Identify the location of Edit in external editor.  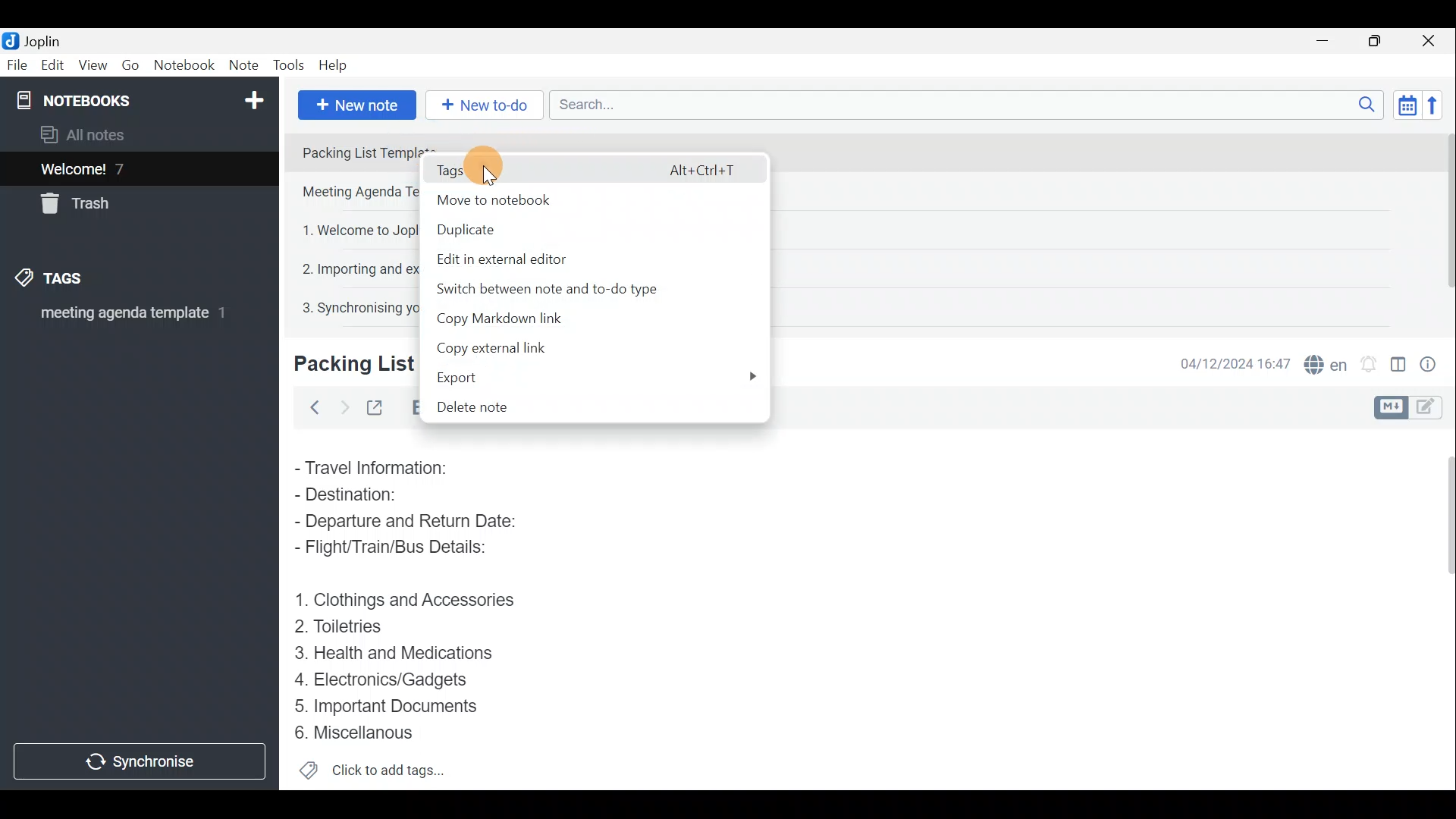
(520, 259).